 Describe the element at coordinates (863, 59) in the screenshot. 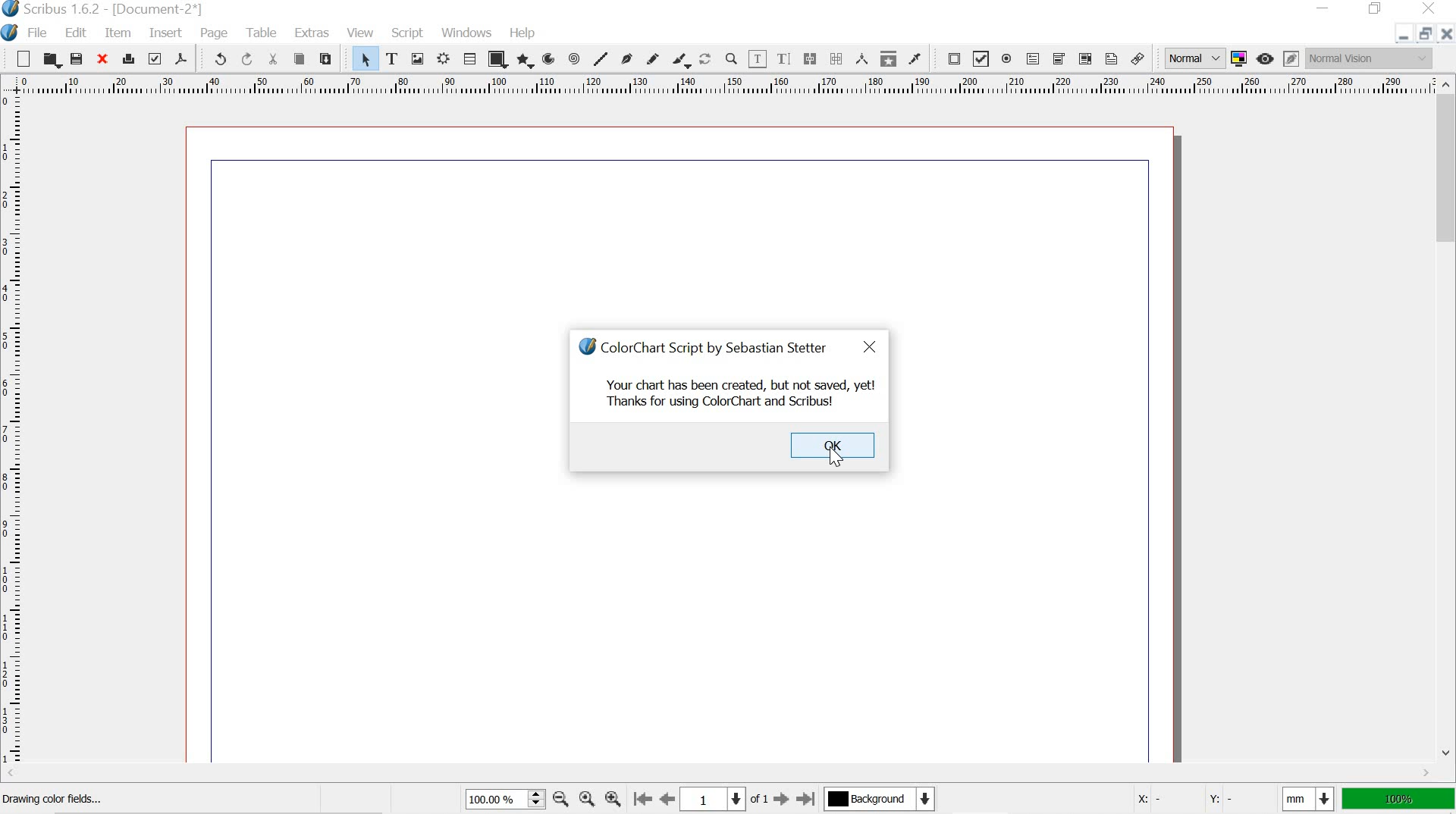

I see `measurements` at that location.